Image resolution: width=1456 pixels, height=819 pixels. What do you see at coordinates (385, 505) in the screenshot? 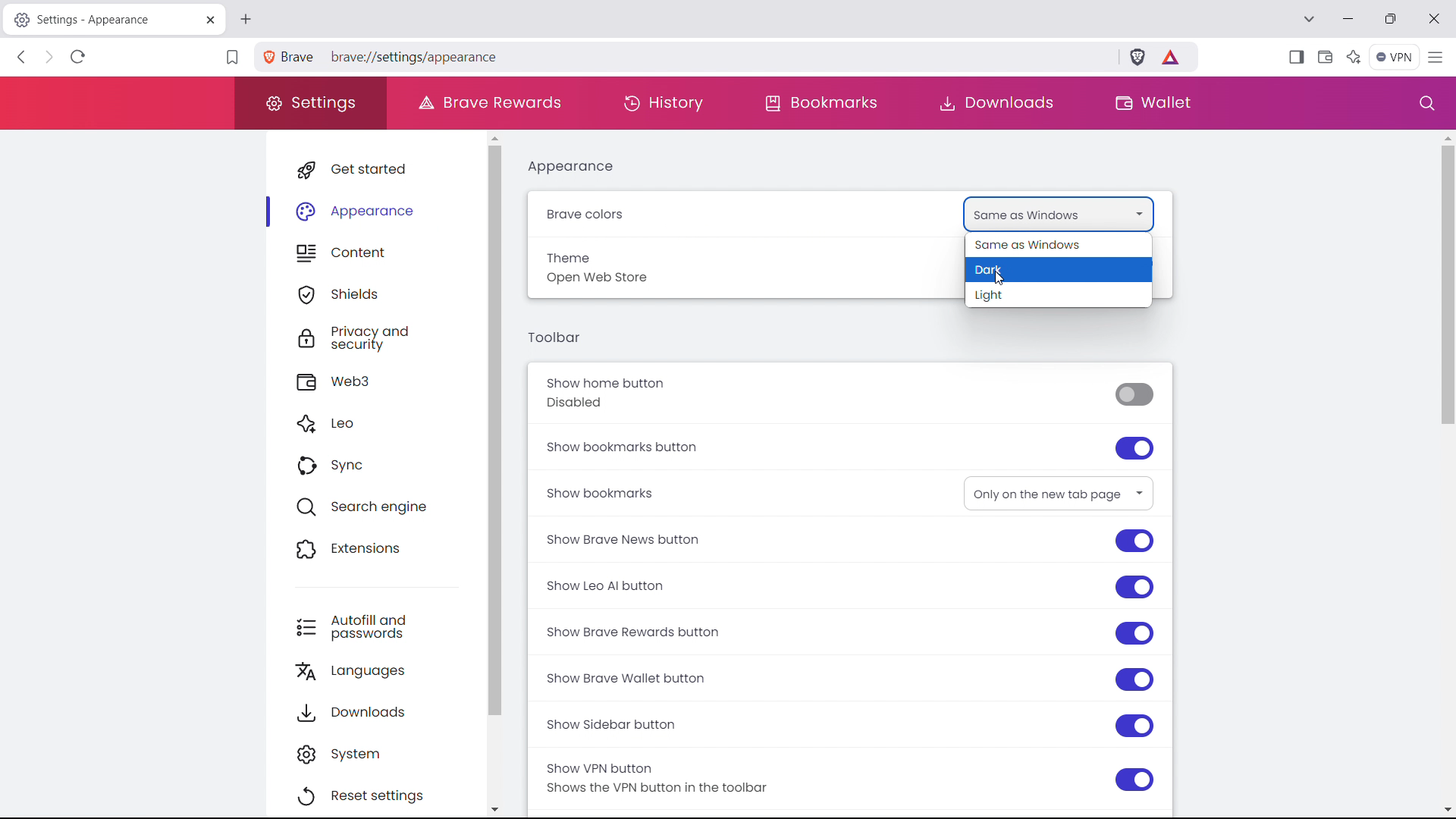
I see `search engine` at bounding box center [385, 505].